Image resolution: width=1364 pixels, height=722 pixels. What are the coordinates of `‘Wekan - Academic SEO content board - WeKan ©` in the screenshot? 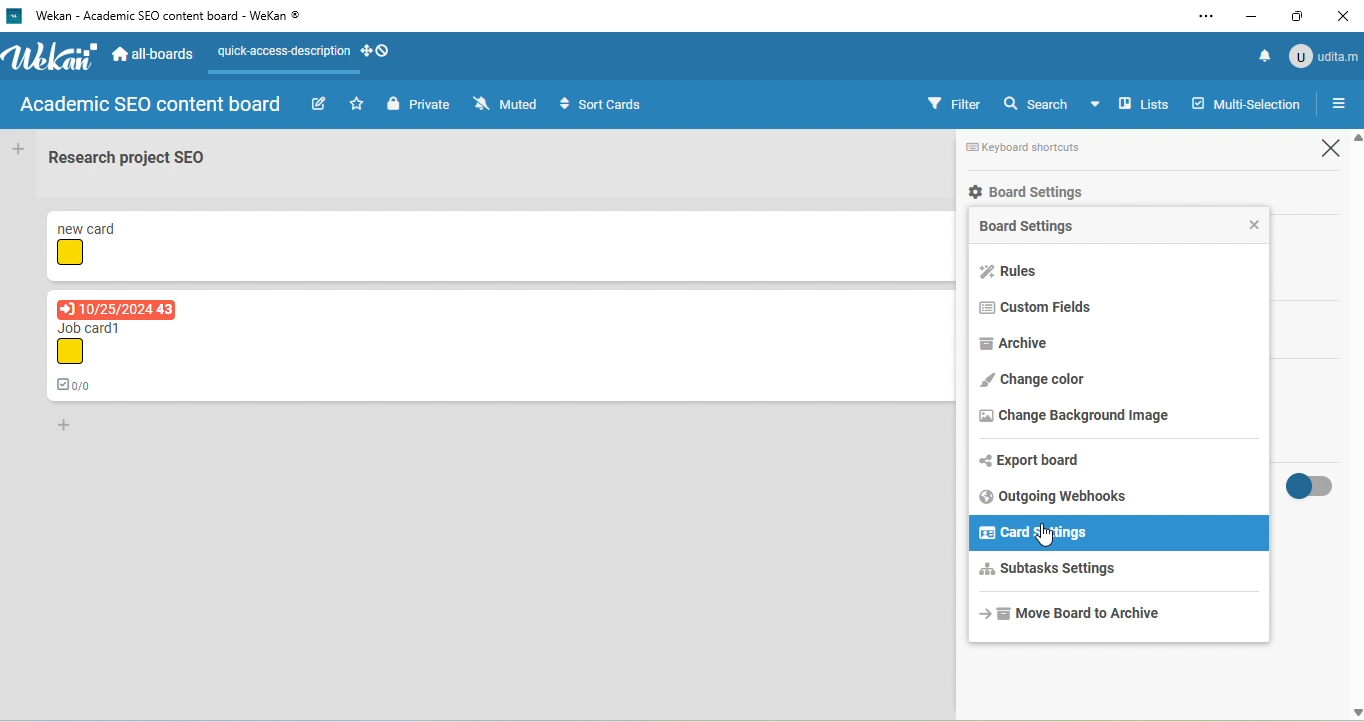 It's located at (176, 16).